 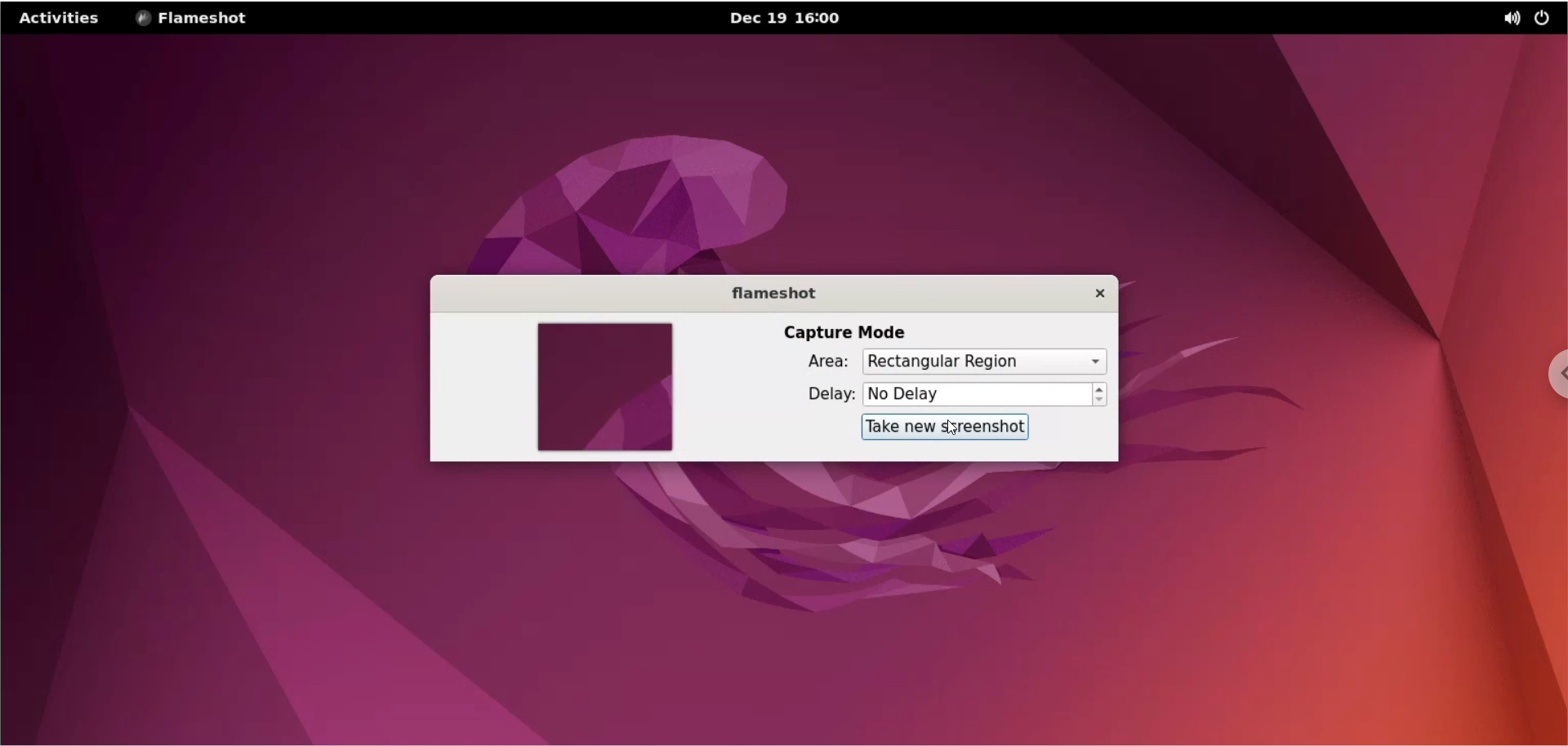 I want to click on flameshot options, so click(x=190, y=20).